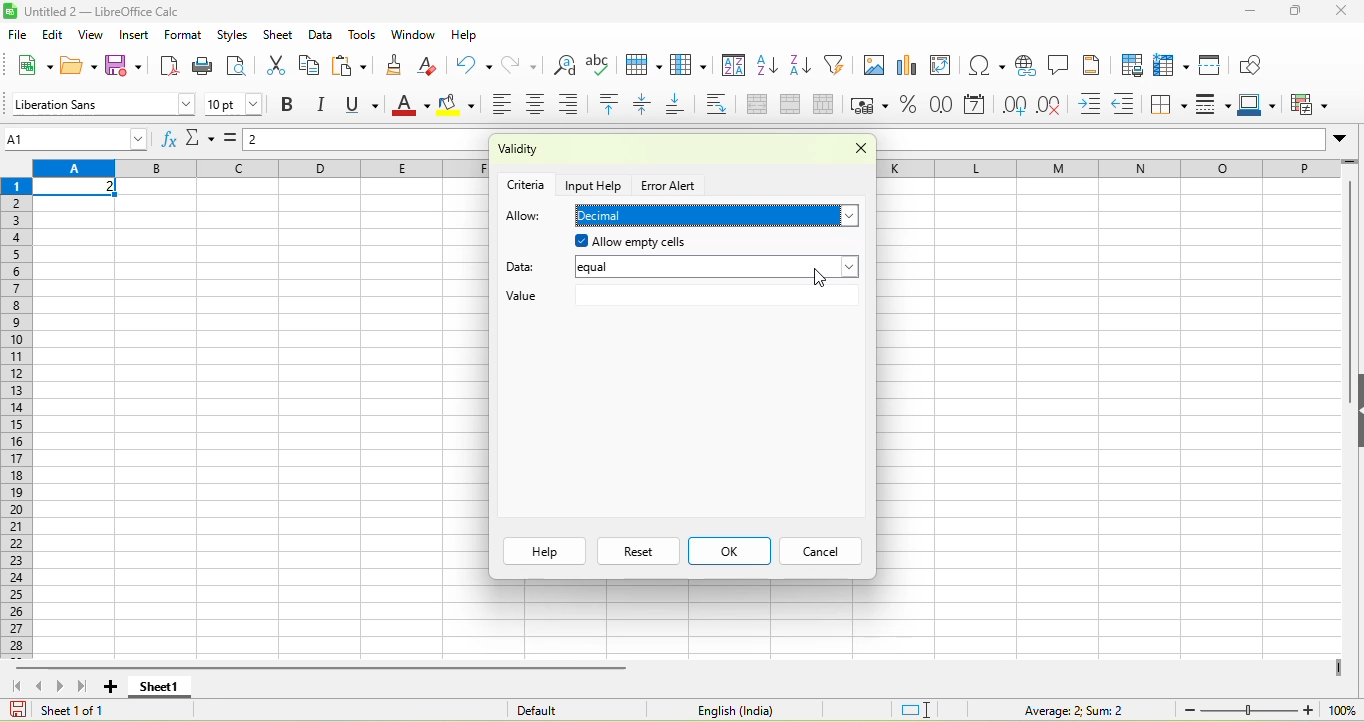 This screenshot has height=722, width=1364. What do you see at coordinates (1342, 709) in the screenshot?
I see `zoom percentage` at bounding box center [1342, 709].